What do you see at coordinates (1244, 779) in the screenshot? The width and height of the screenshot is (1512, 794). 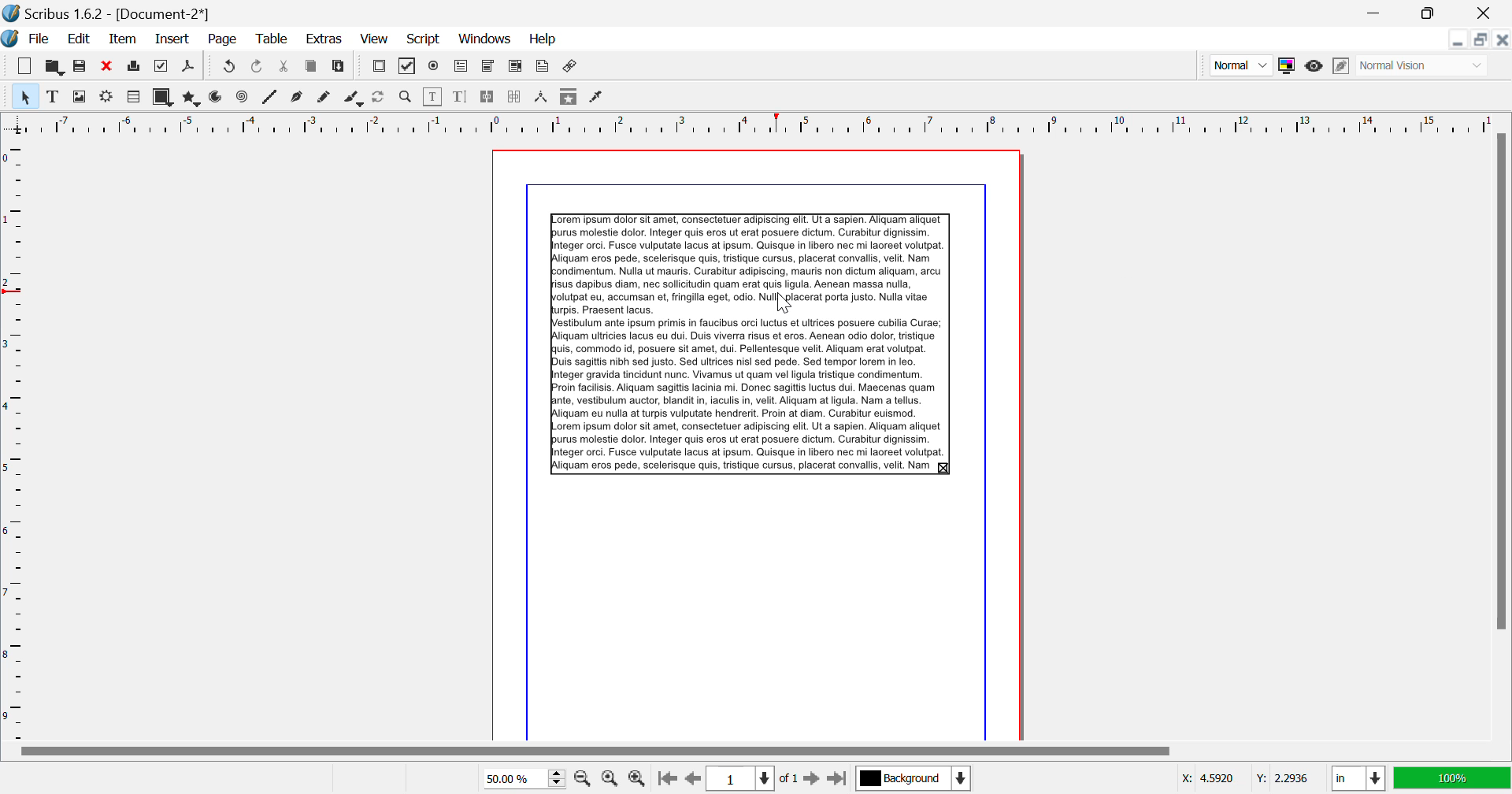 I see `Cursor Coordinates` at bounding box center [1244, 779].